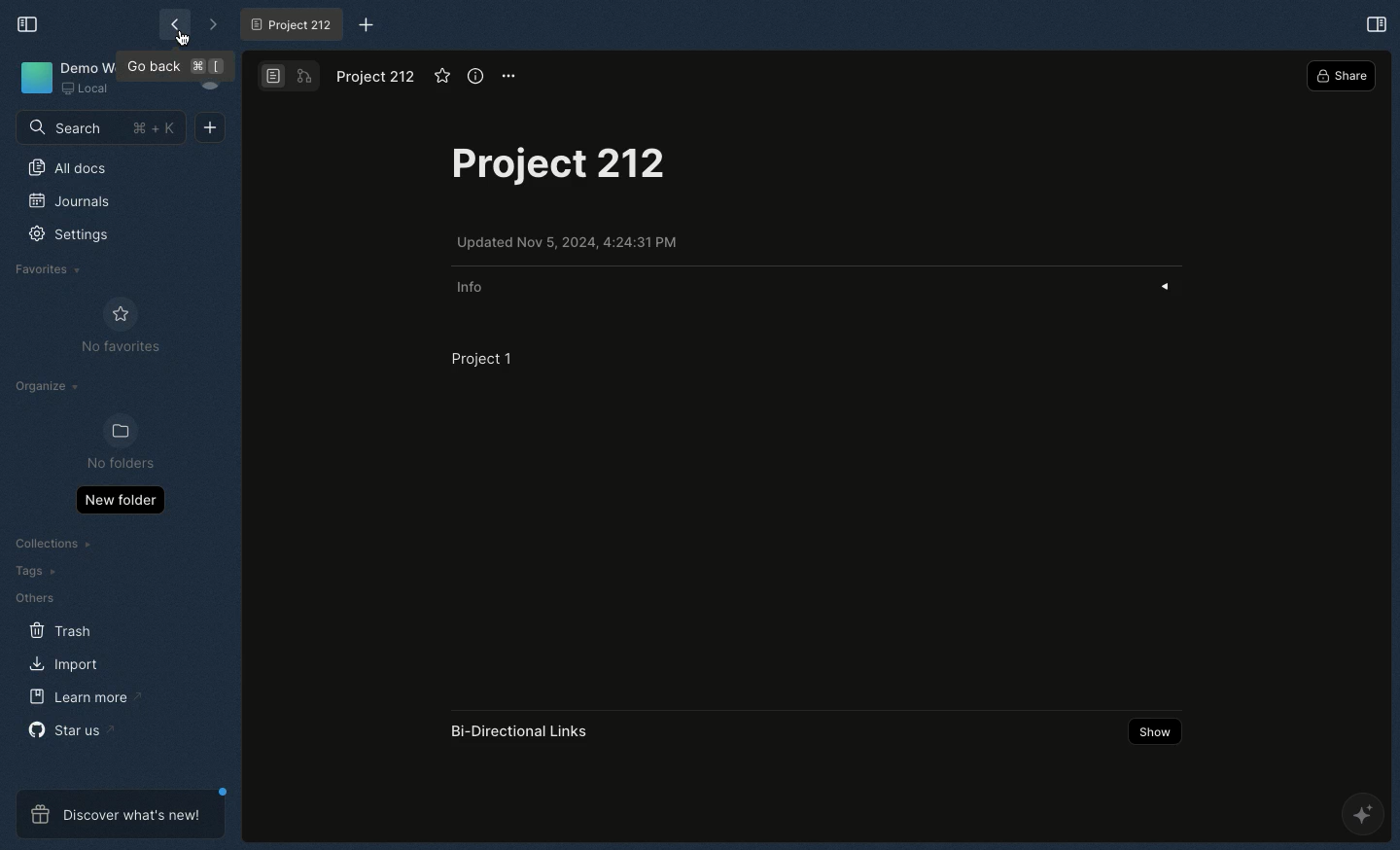 This screenshot has height=850, width=1400. Describe the element at coordinates (114, 816) in the screenshot. I see `Discover what's new!` at that location.